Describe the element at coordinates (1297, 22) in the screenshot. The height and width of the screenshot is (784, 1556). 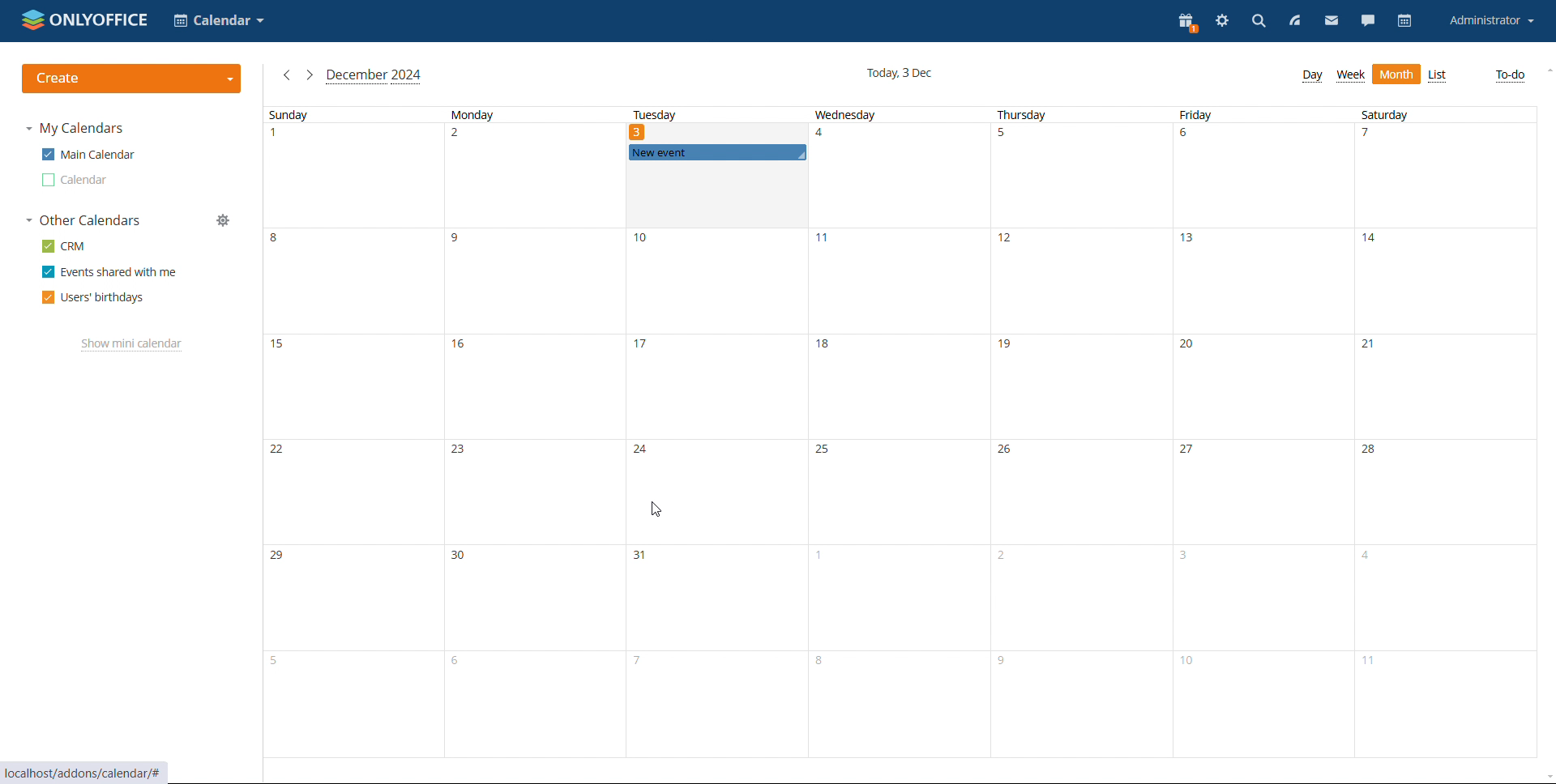
I see `feed` at that location.